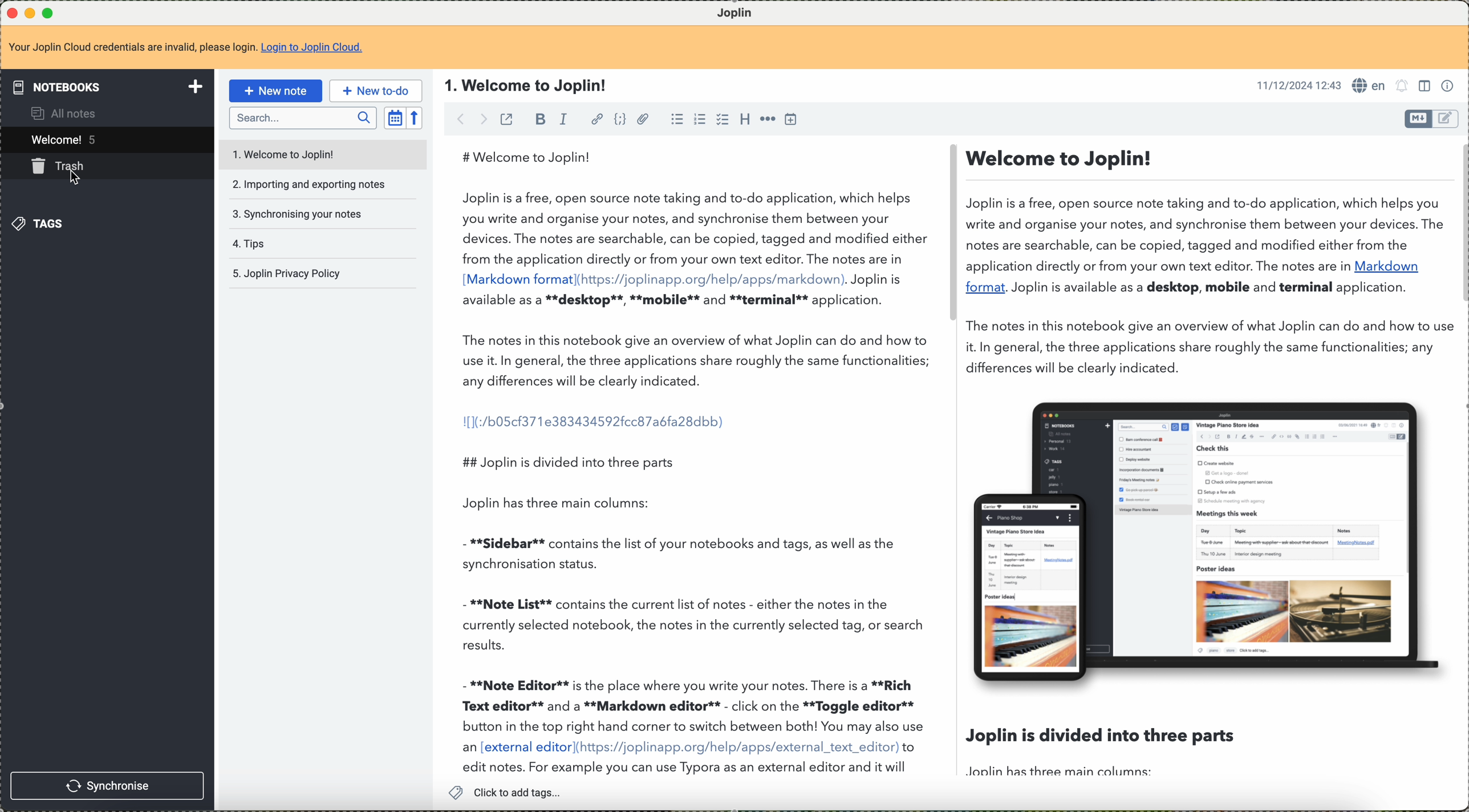  I want to click on # Welcome to Joplin!

Joplin is a free, open source note taking and to-do application, which helps
you write and organise your notes, and synchronise them between your
devices. The notes are searchable, can be copied, tagged and modified either
from the application directly or from your own text editor. The notes are in
[Markdown format](https://joplinapp.org/help/apps/markdown). Joplin is
available as a **desktop**, **mobile** and **terminal** application.

The notes in this notebook give an overview of what Joplin can do and how to
use it. In general, the three applications share roughly the same functionalities;
any differences will be clearly indicated.
1[1(:/b05¢cf371e383434592fcc87a6fa28dbb)

## Joplin is divided into three parts

Joplin has three main columns:

- **Sidebar** contains the list of your notebooks and tags, as well as the
synchronisation status.

- **Note List** contains the current list of notes - either the notes in the
currently selected notebook, the notes in the currently selected tag, or search
results.

- **Note Editor** is the place where you write your notes. There is a **Rich
Text editor** and a **Markdown editor** - click on the **Toggle editor**
button in the top right hand corner to switch between both! You may also use
an [external editor](https://joplinapp.org/help/apps/external_text_editor) to
edit notes. For example you can use Typora as an external editor and it will, so click(695, 460).